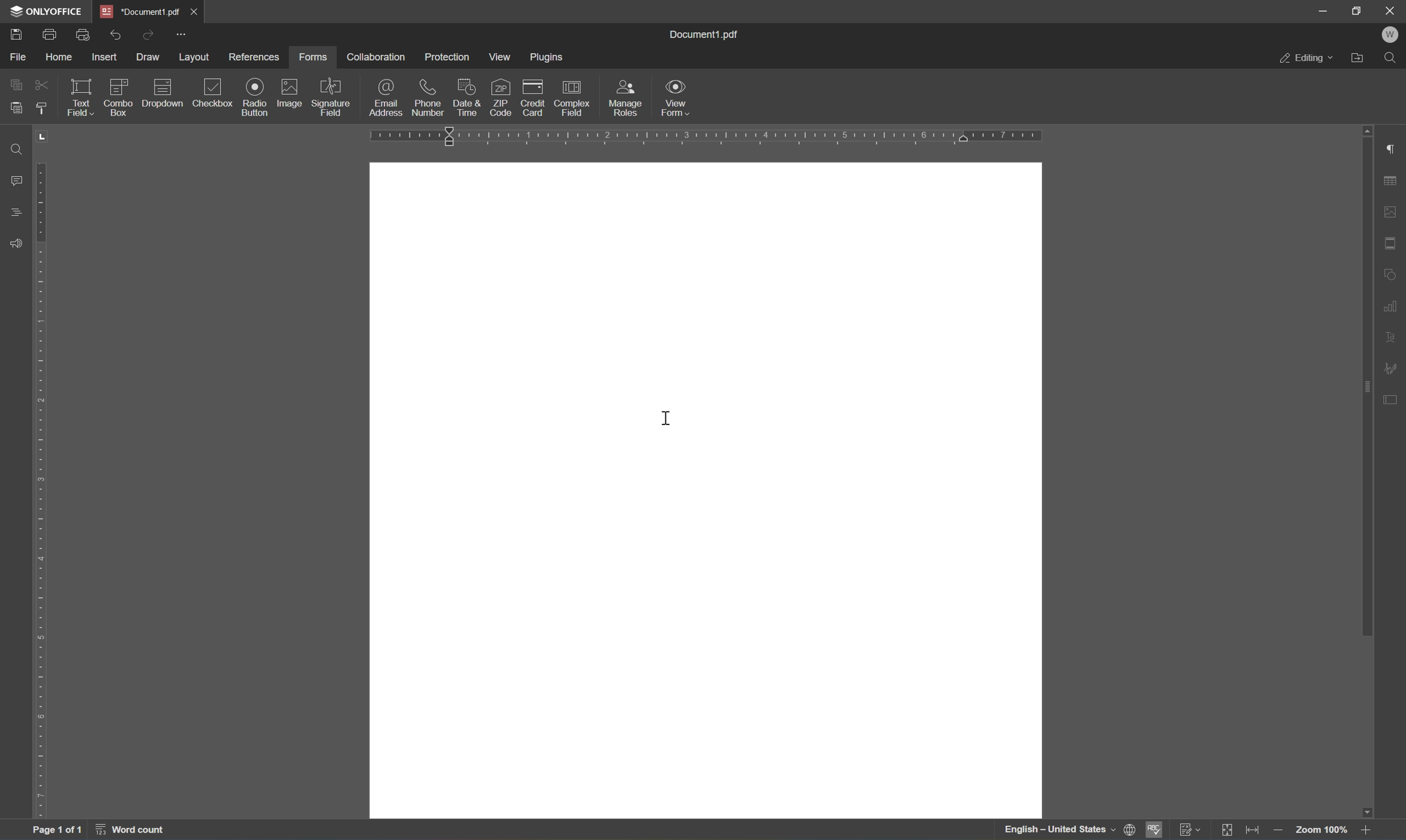 This screenshot has width=1406, height=840. Describe the element at coordinates (16, 84) in the screenshot. I see `copy` at that location.